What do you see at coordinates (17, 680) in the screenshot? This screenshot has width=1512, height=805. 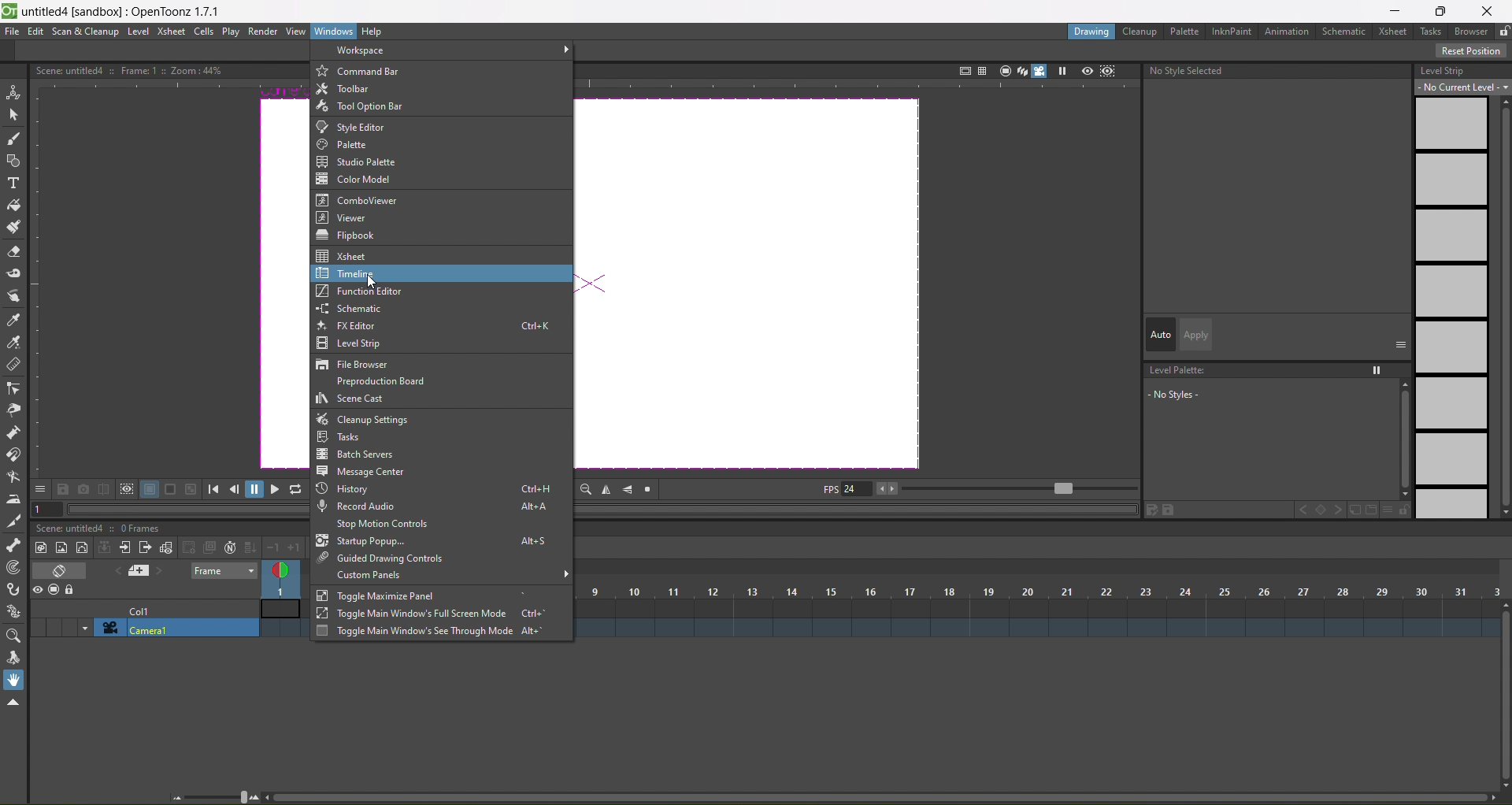 I see `hand tool` at bounding box center [17, 680].